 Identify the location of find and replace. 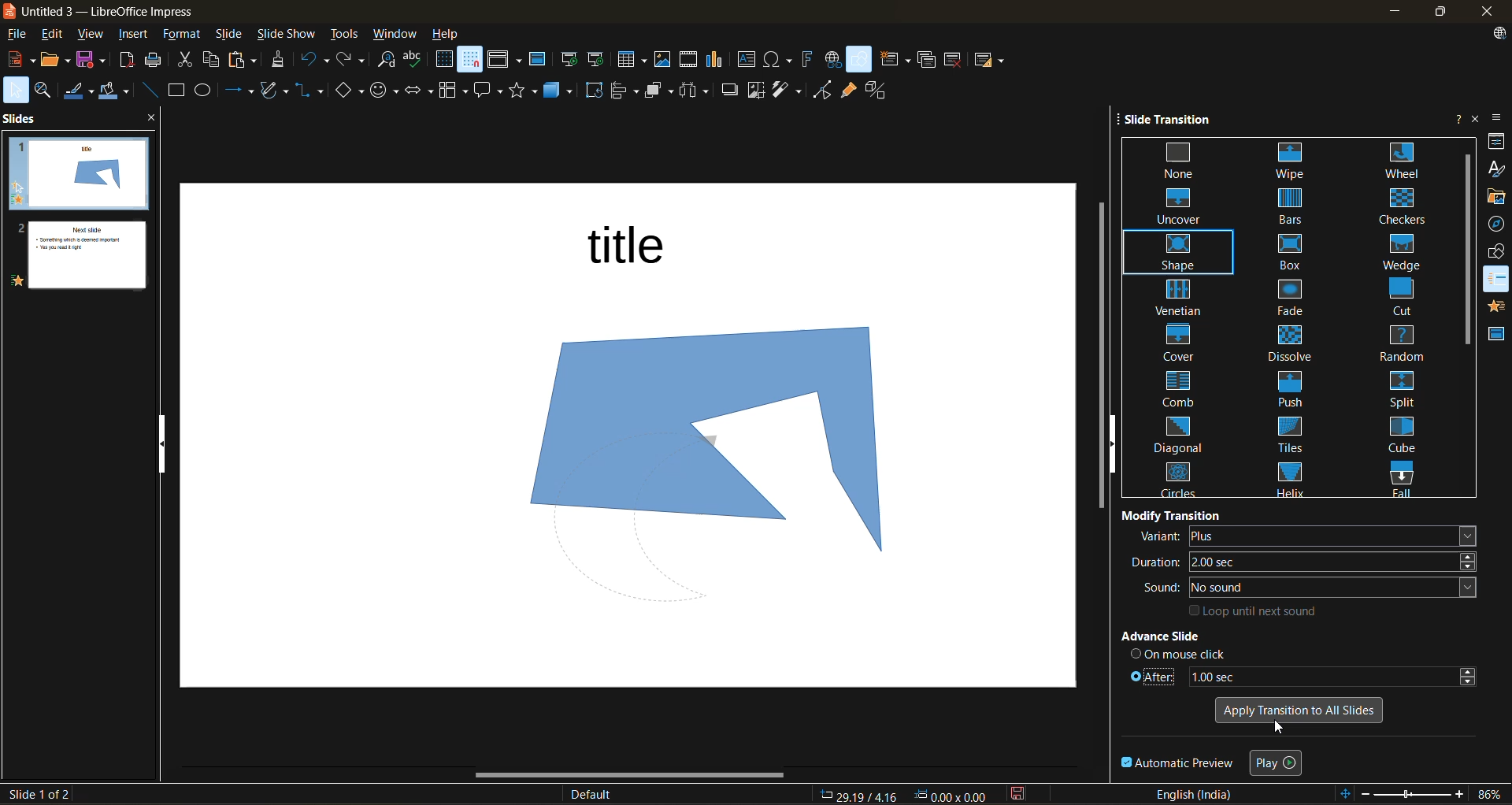
(386, 60).